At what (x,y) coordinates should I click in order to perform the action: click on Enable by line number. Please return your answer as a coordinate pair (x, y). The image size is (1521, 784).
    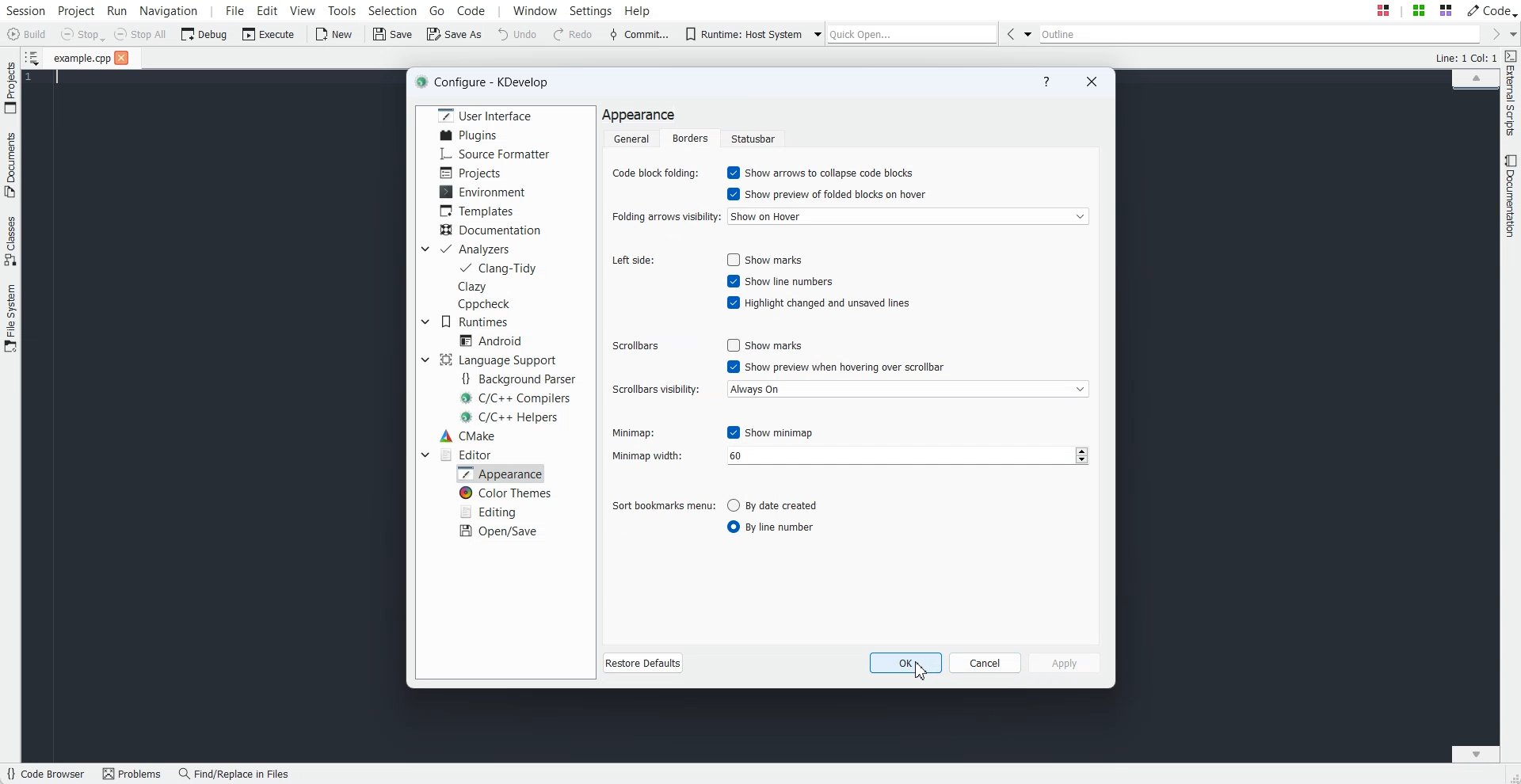
    Looking at the image, I should click on (781, 527).